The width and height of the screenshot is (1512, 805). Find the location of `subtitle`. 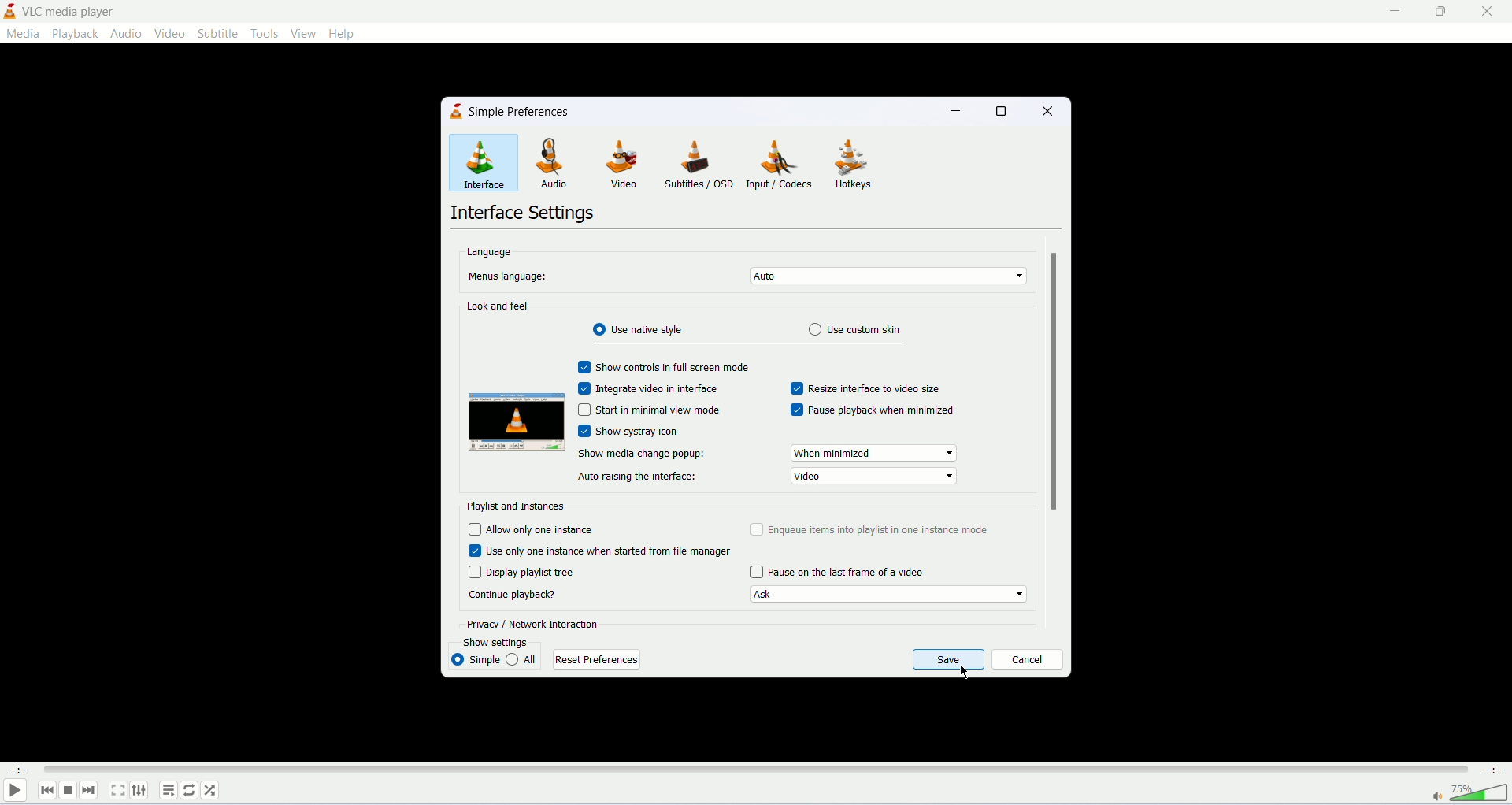

subtitle is located at coordinates (218, 32).